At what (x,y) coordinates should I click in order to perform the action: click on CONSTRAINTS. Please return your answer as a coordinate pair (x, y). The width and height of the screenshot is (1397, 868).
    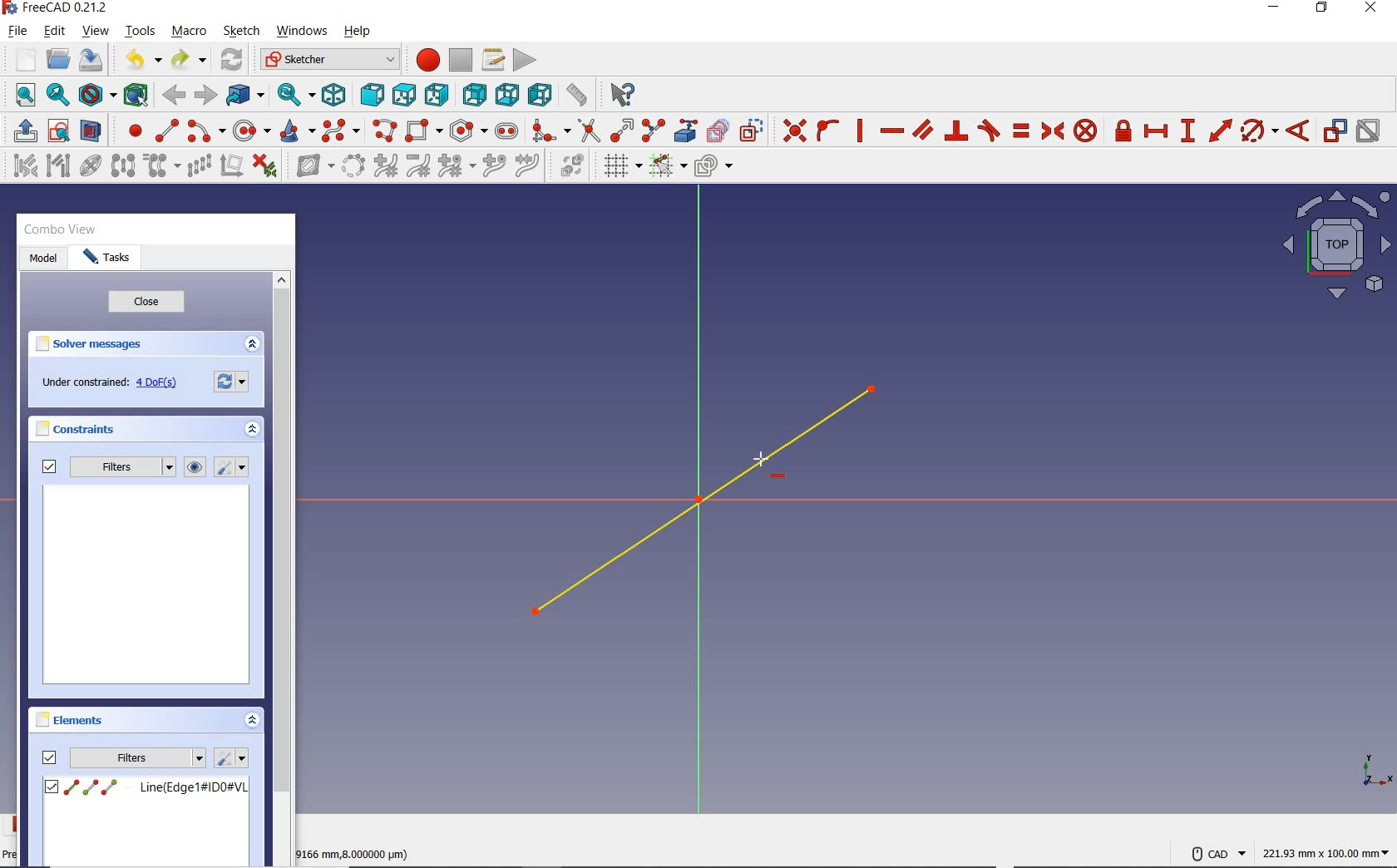
    Looking at the image, I should click on (74, 427).